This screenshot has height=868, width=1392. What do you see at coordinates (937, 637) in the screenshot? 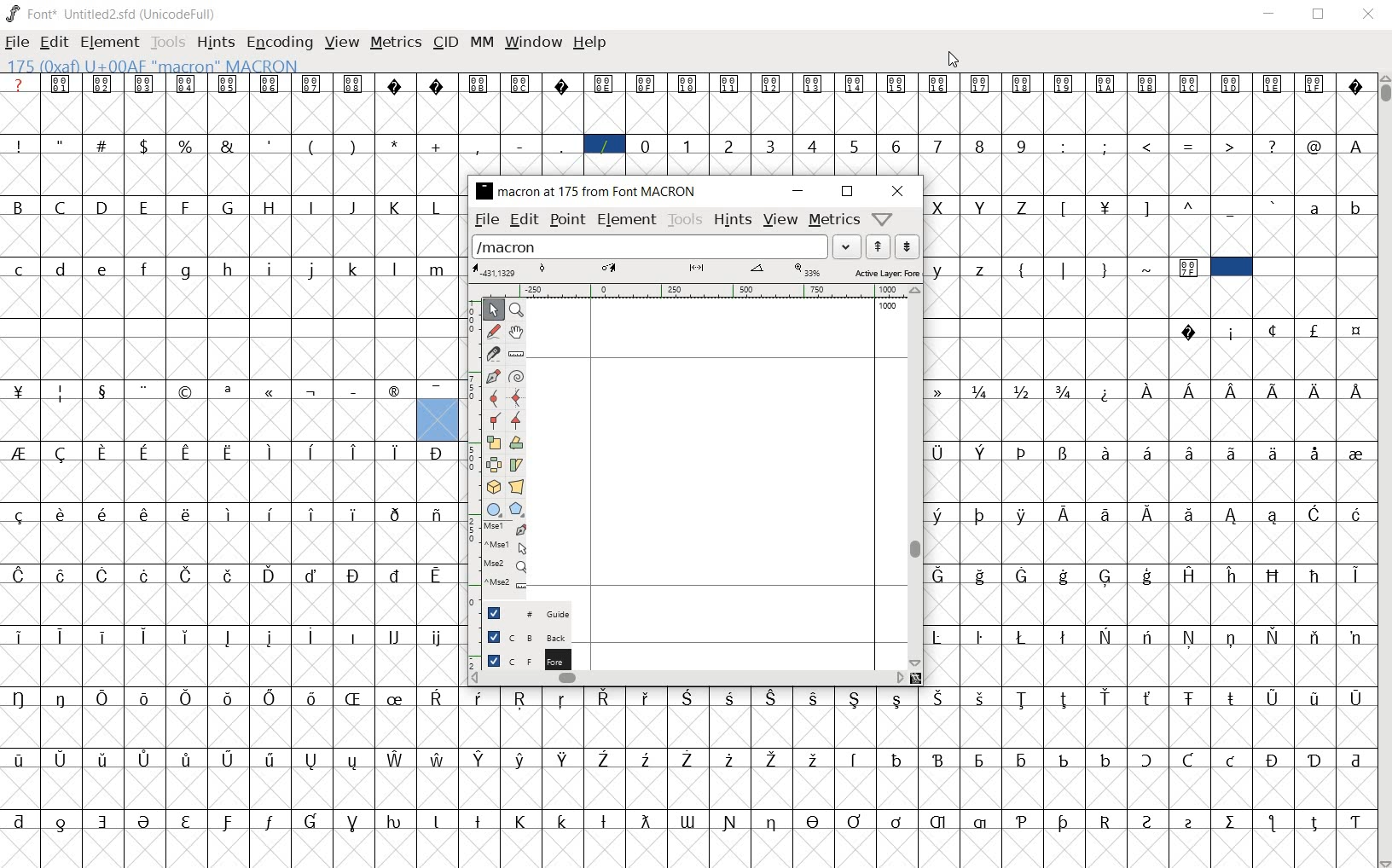
I see `Symbol` at bounding box center [937, 637].